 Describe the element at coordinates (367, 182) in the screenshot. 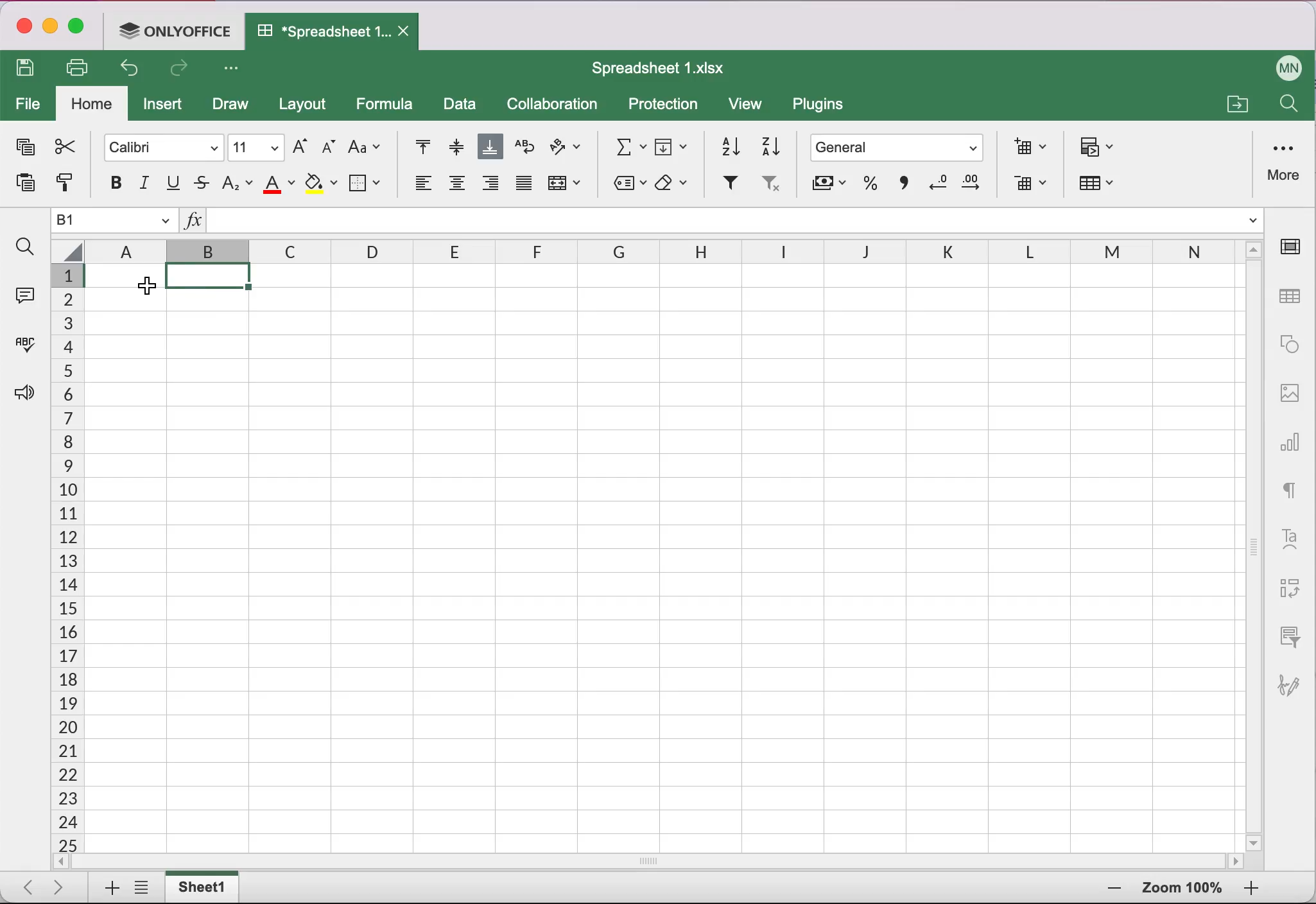

I see `borders` at that location.